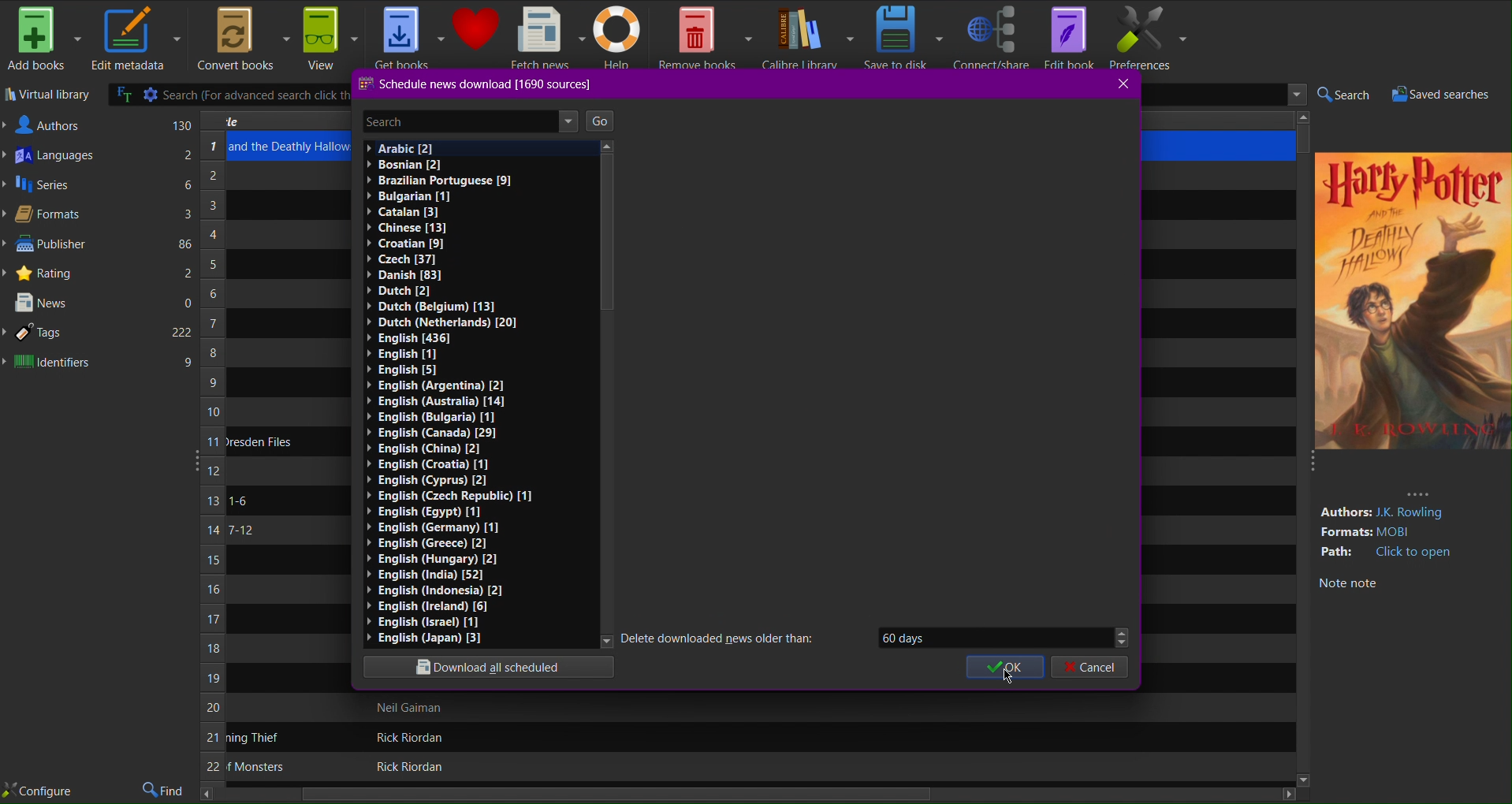  I want to click on vertical scrollbar, so click(606, 236).